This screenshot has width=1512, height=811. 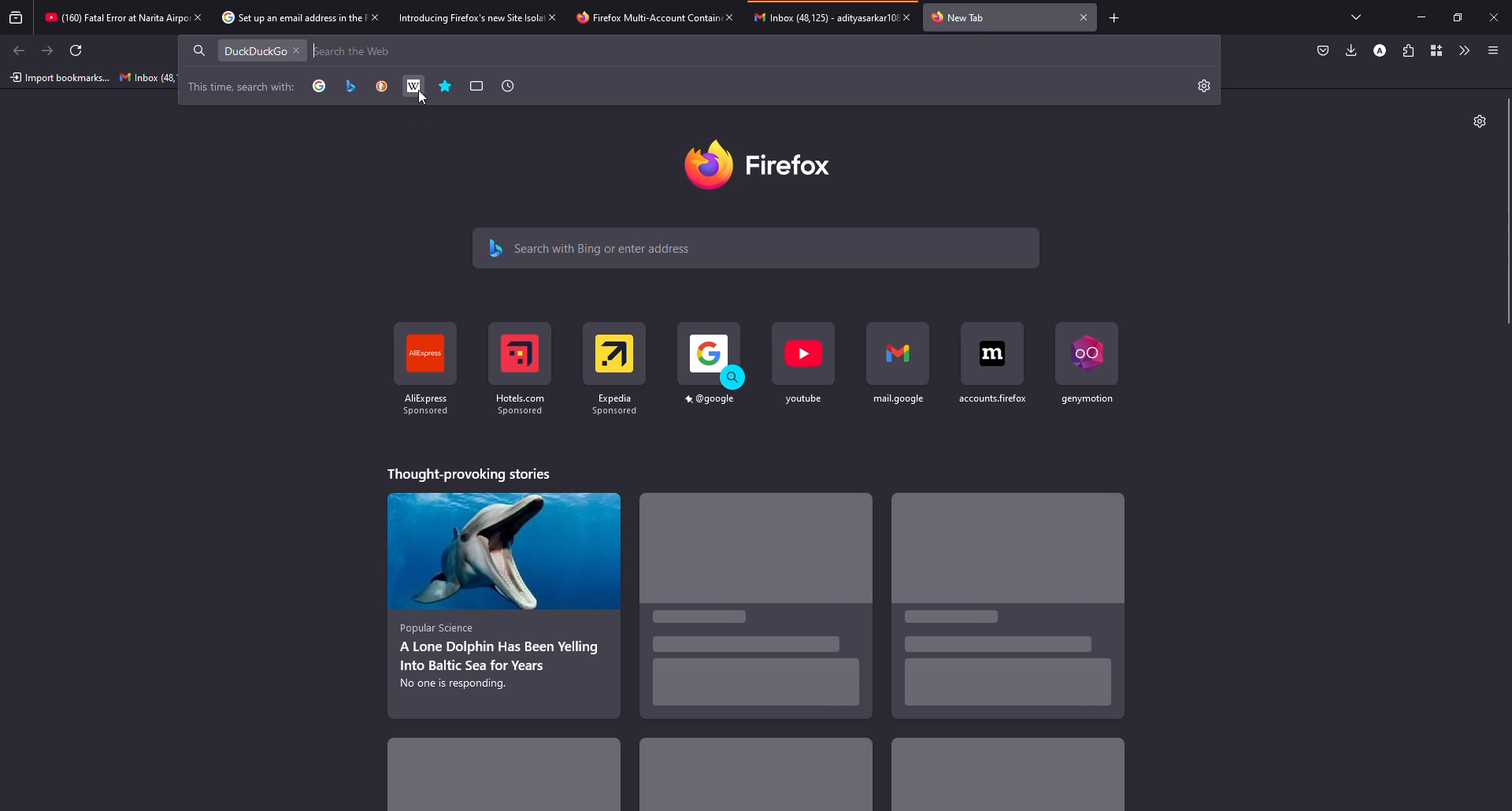 I want to click on duck duck go, so click(x=382, y=86).